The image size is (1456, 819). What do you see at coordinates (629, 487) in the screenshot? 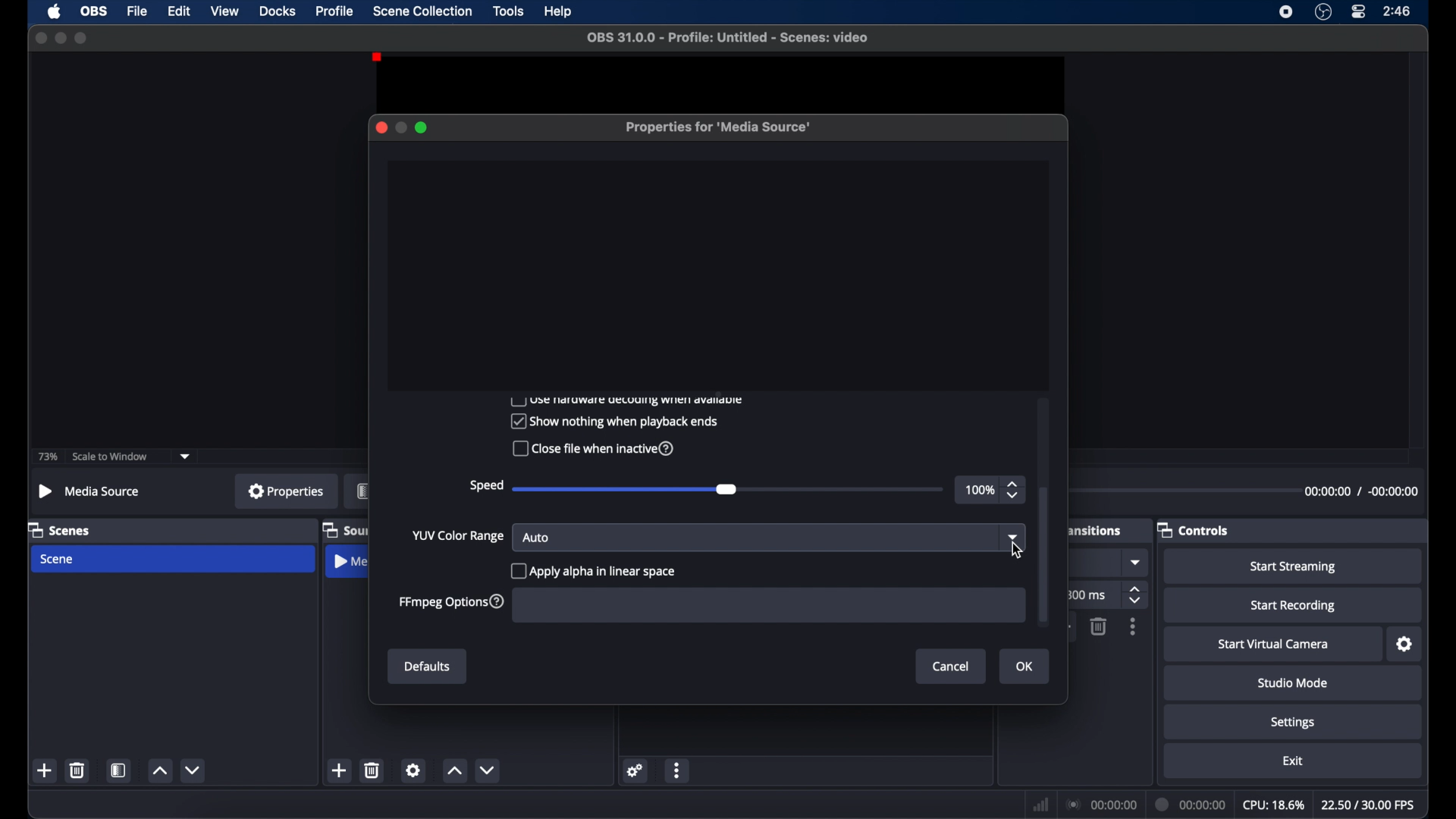
I see `slider` at bounding box center [629, 487].